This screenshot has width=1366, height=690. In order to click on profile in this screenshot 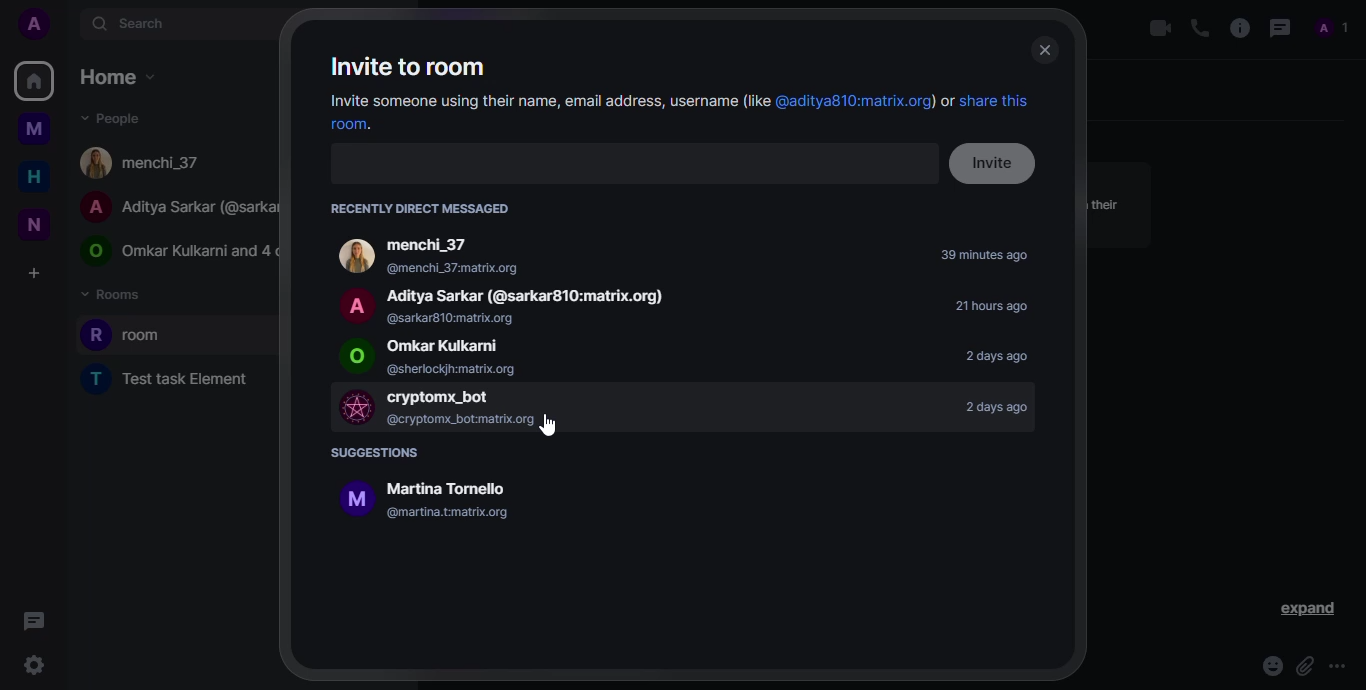, I will do `click(33, 23)`.